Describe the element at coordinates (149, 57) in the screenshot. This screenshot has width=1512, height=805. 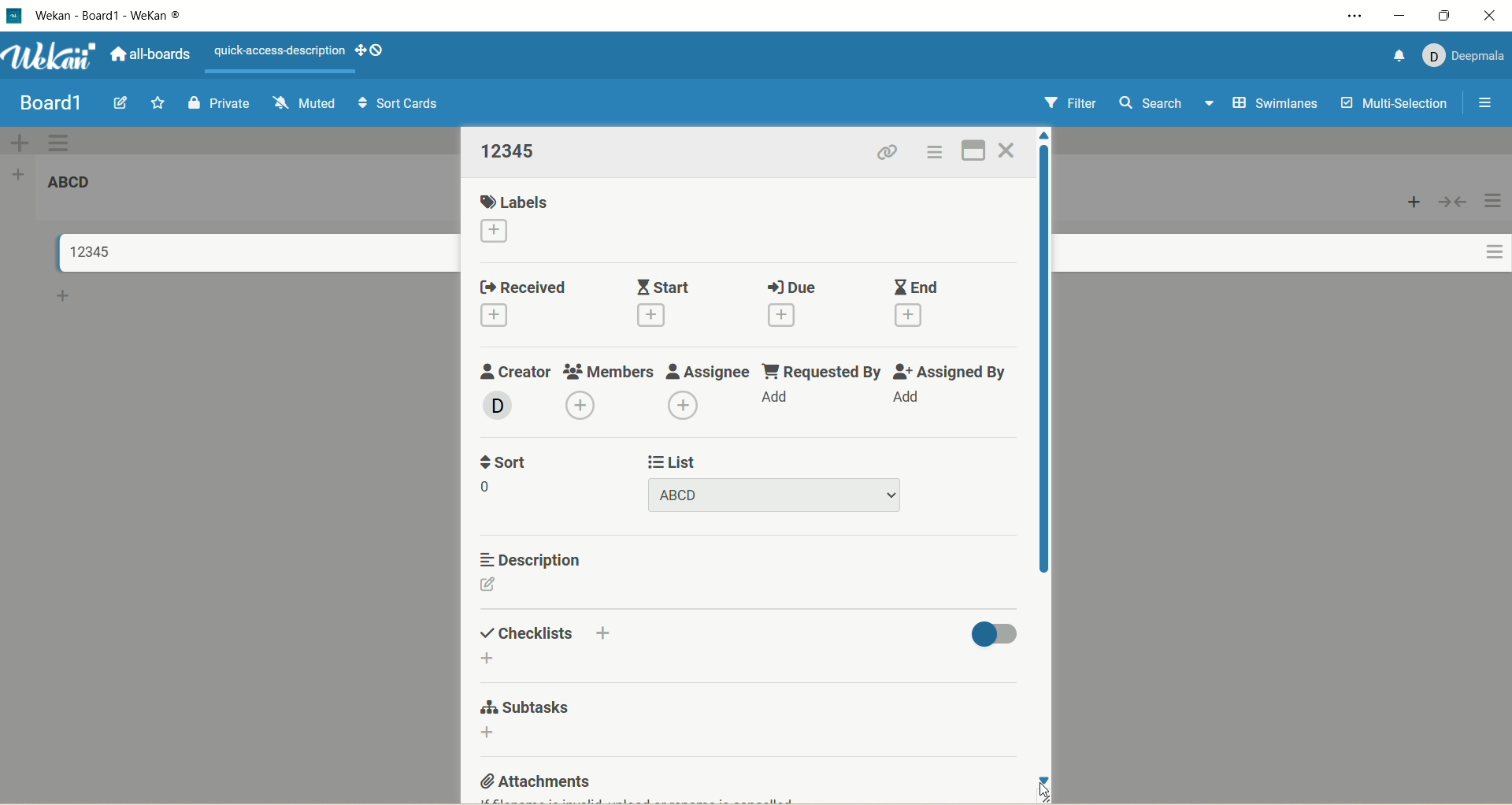
I see `all boards` at that location.